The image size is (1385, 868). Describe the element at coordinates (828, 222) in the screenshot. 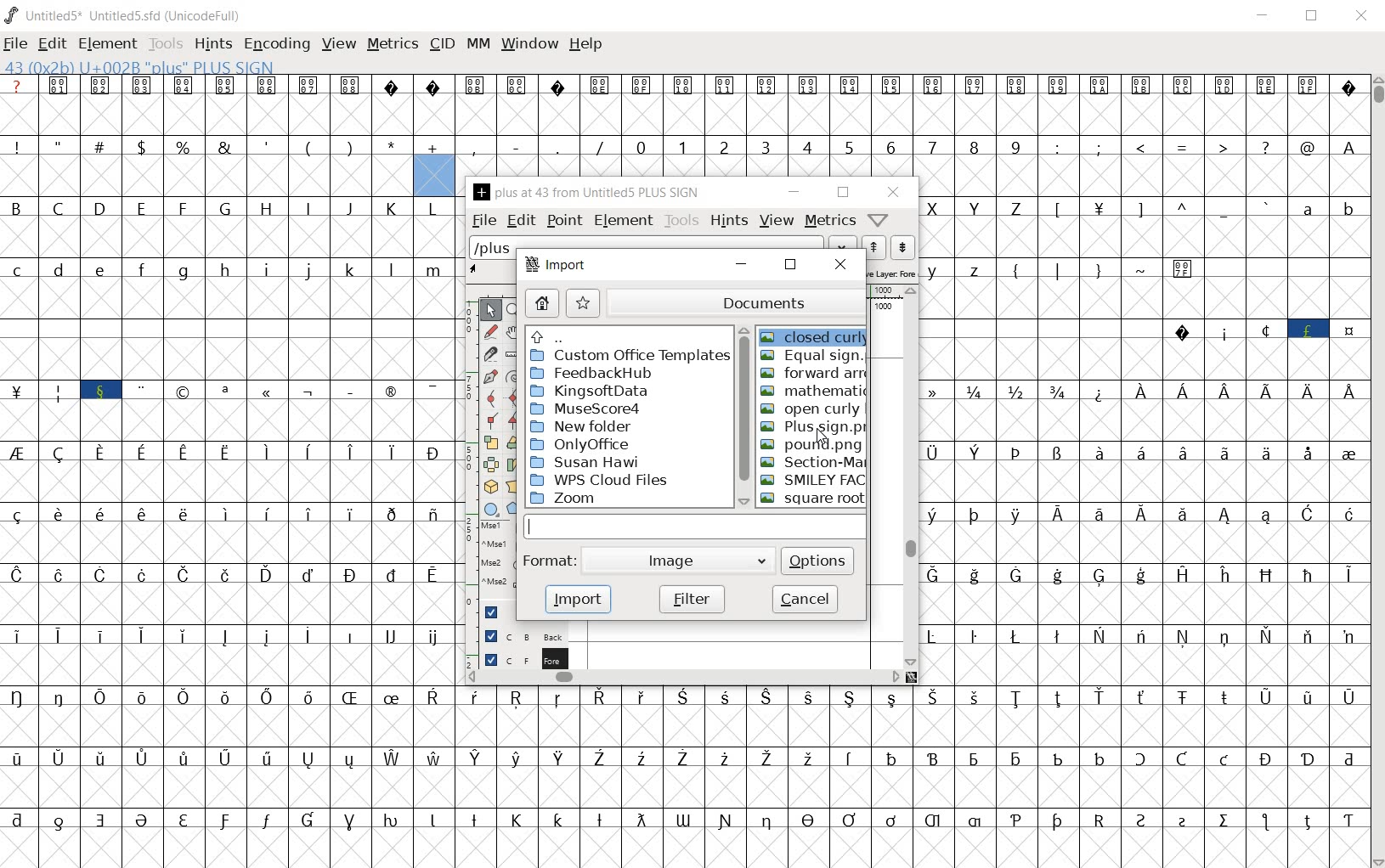

I see `metrics` at that location.